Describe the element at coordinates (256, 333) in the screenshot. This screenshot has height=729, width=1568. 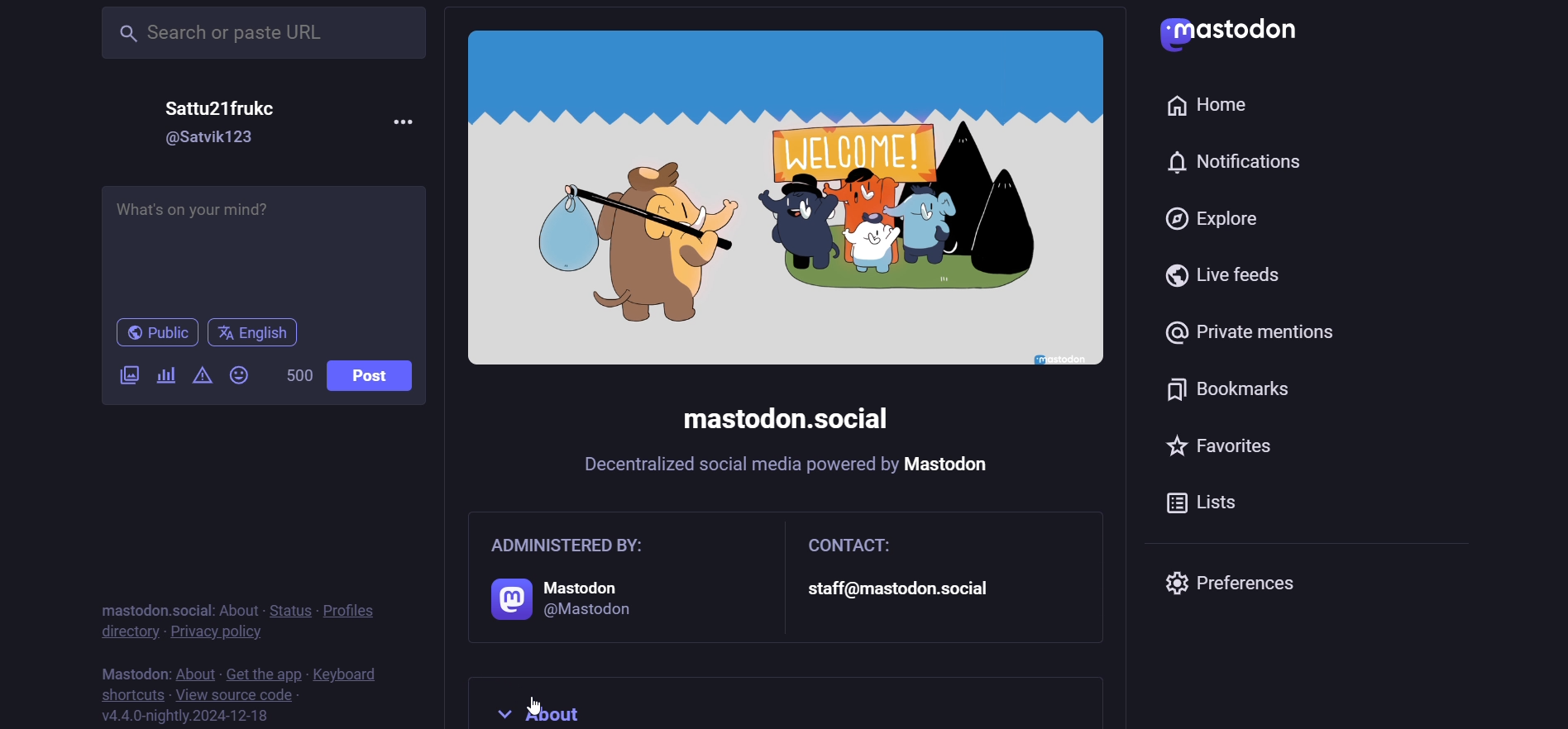
I see `english` at that location.